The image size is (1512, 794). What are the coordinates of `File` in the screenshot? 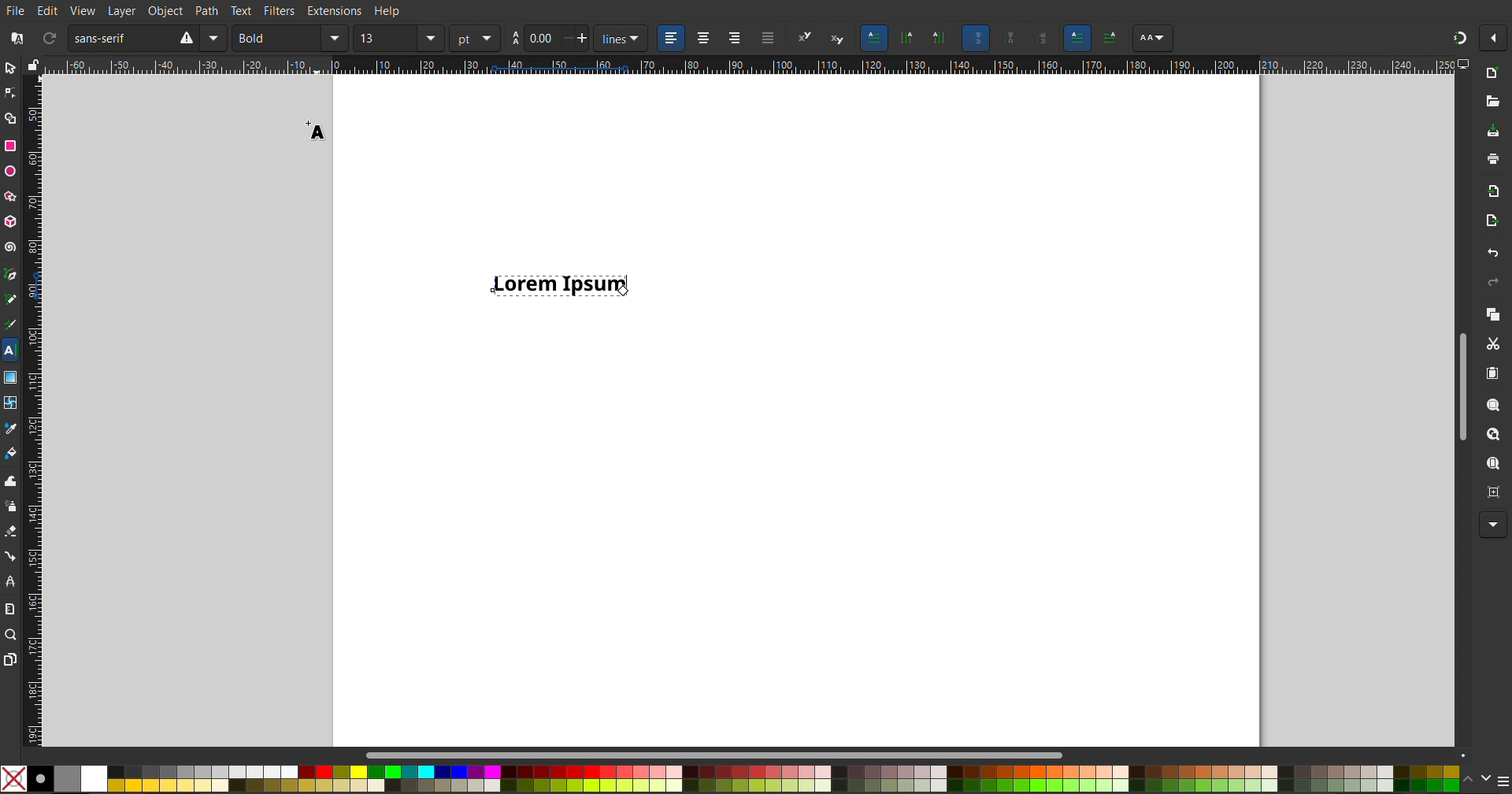 It's located at (17, 9).